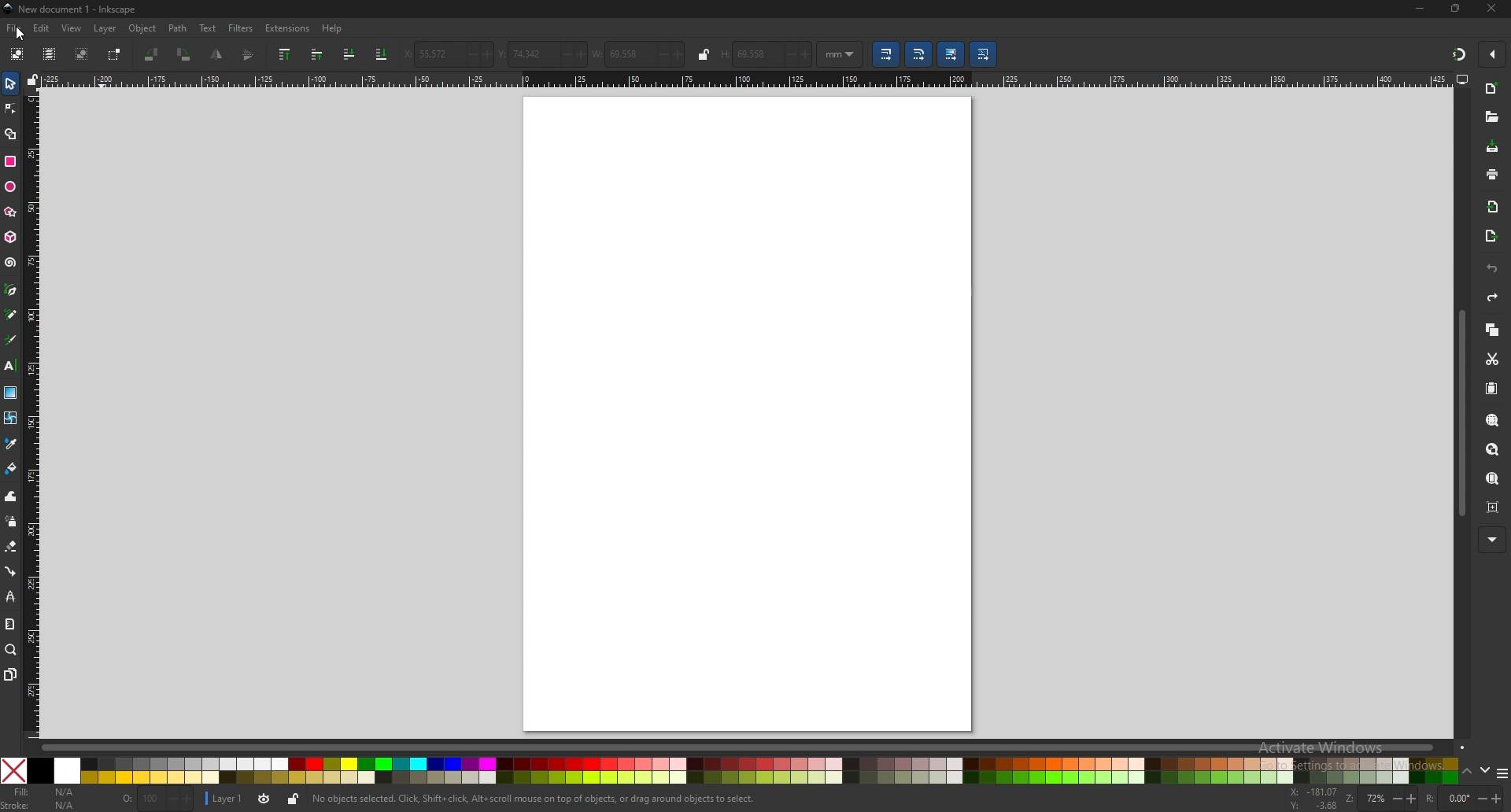 This screenshot has width=1511, height=812. I want to click on -, so click(789, 55).